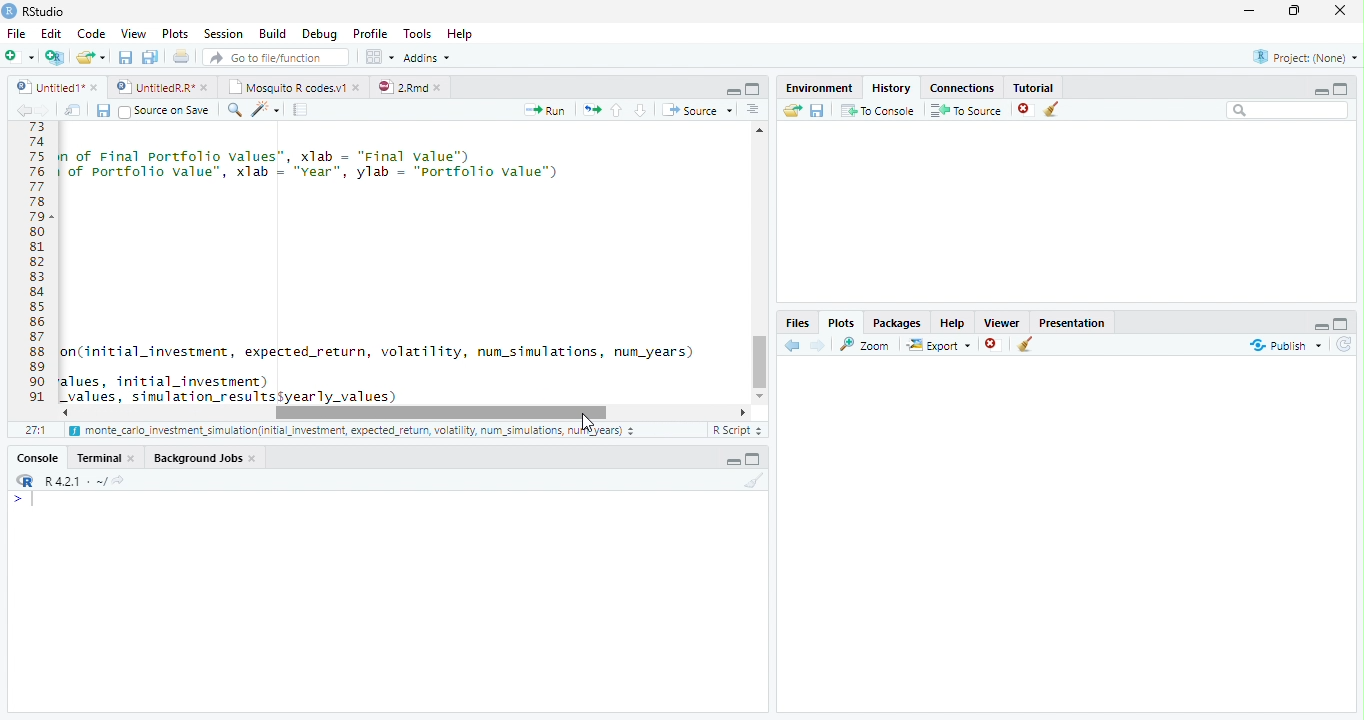  Describe the element at coordinates (124, 57) in the screenshot. I see `Save current file` at that location.